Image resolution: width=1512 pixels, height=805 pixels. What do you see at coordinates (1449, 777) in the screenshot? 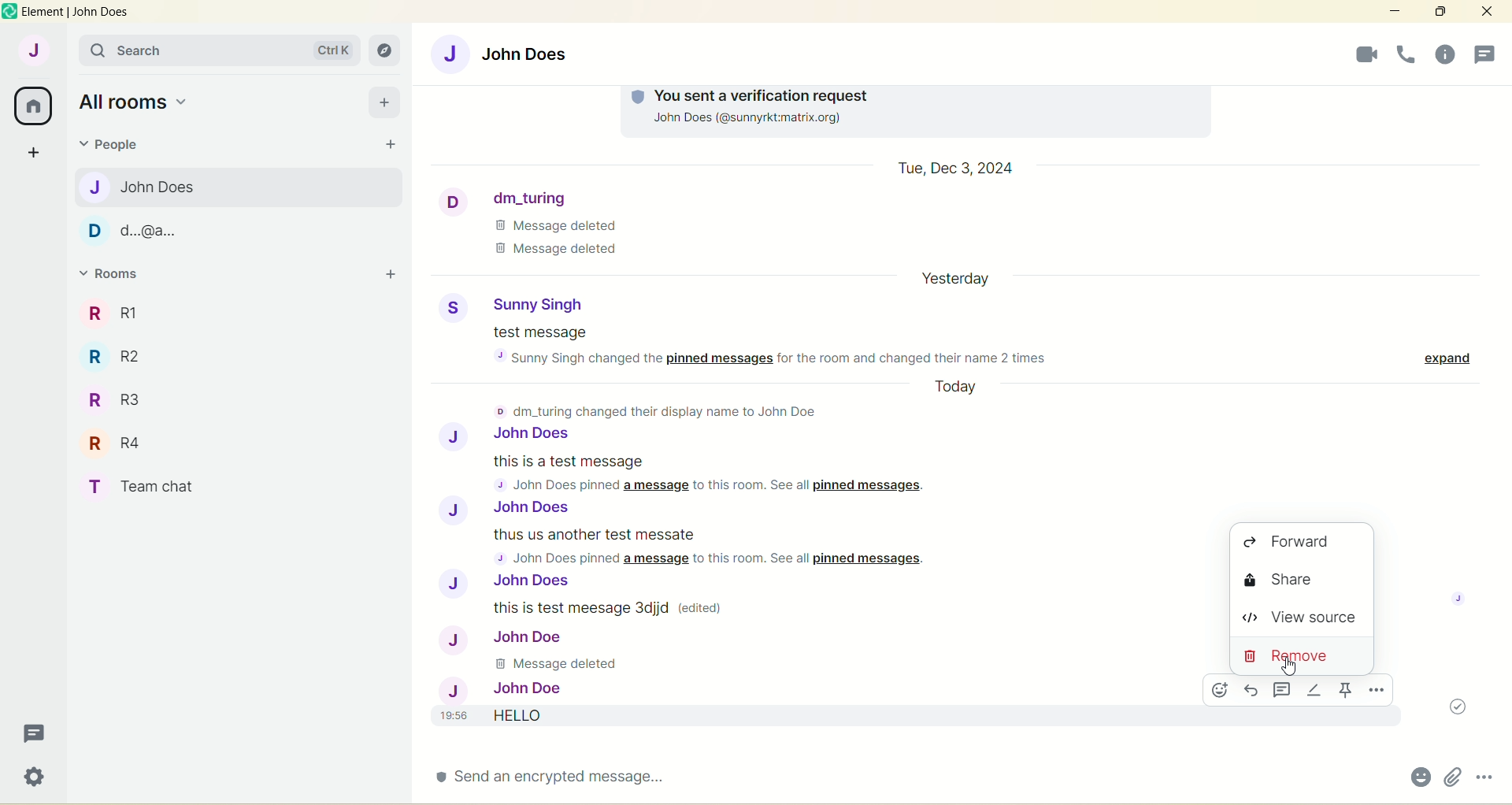
I see `attachments` at bounding box center [1449, 777].